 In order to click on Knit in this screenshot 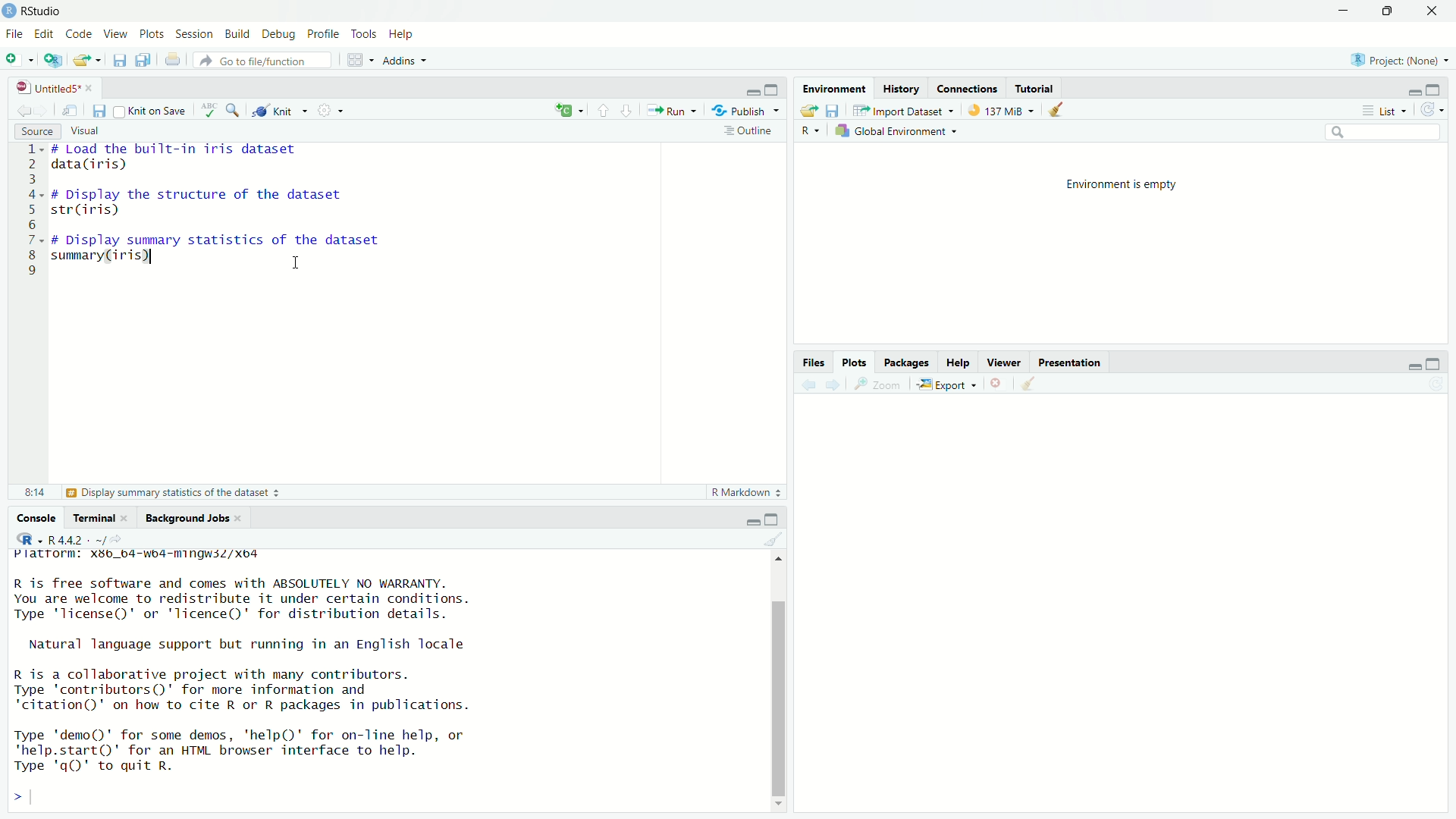, I will do `click(279, 111)`.